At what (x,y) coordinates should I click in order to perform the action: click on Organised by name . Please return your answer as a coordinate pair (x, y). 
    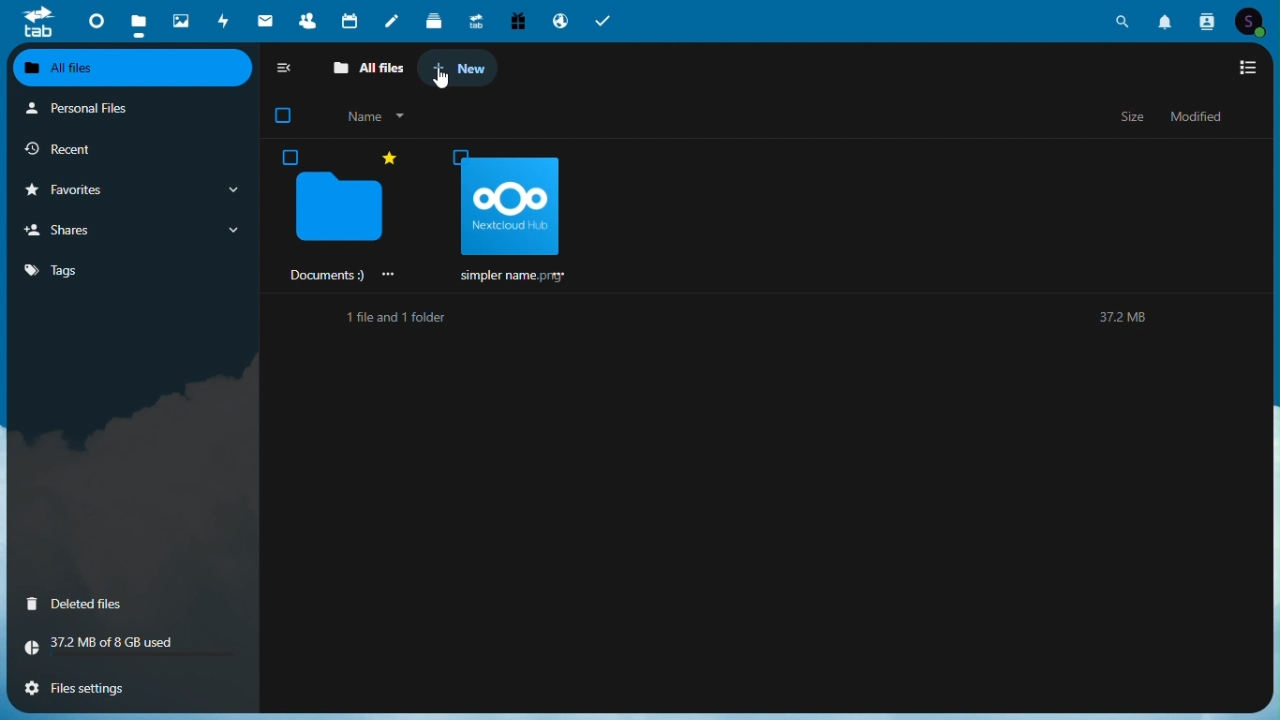
    Looking at the image, I should click on (368, 116).